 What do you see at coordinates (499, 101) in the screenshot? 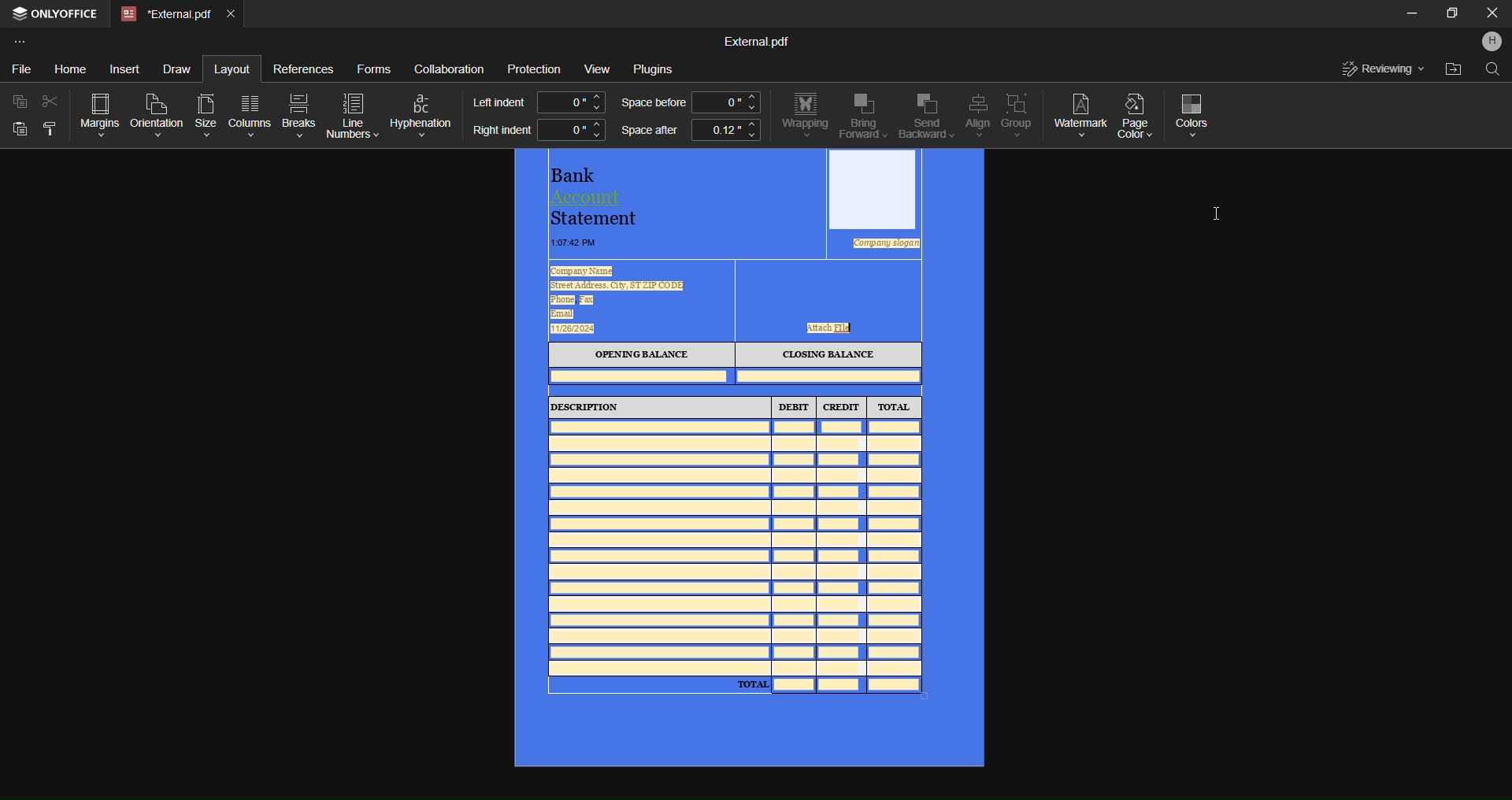
I see `Left Indent` at bounding box center [499, 101].